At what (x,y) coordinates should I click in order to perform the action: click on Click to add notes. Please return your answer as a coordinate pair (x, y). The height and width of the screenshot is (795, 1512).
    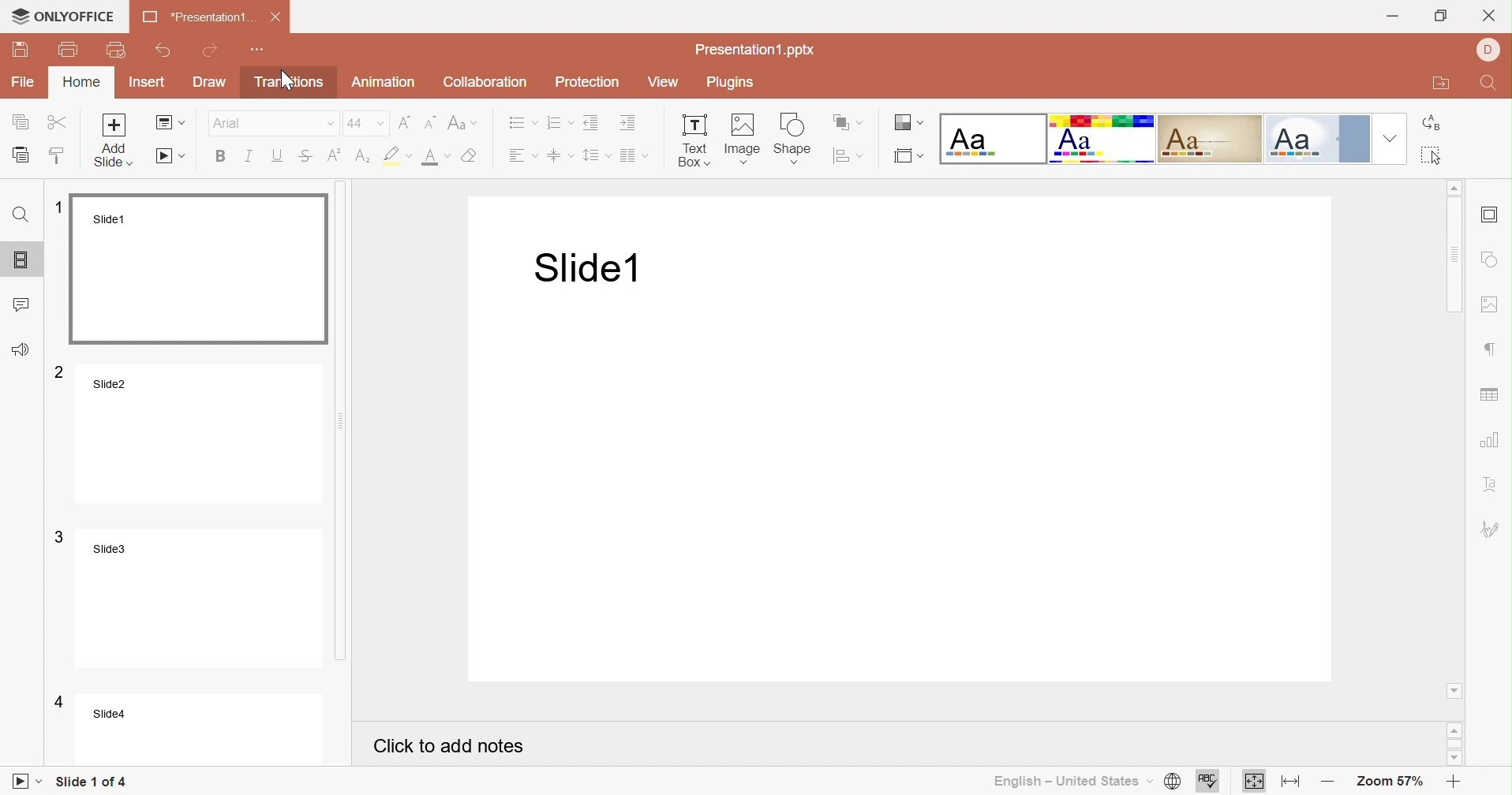
    Looking at the image, I should click on (450, 748).